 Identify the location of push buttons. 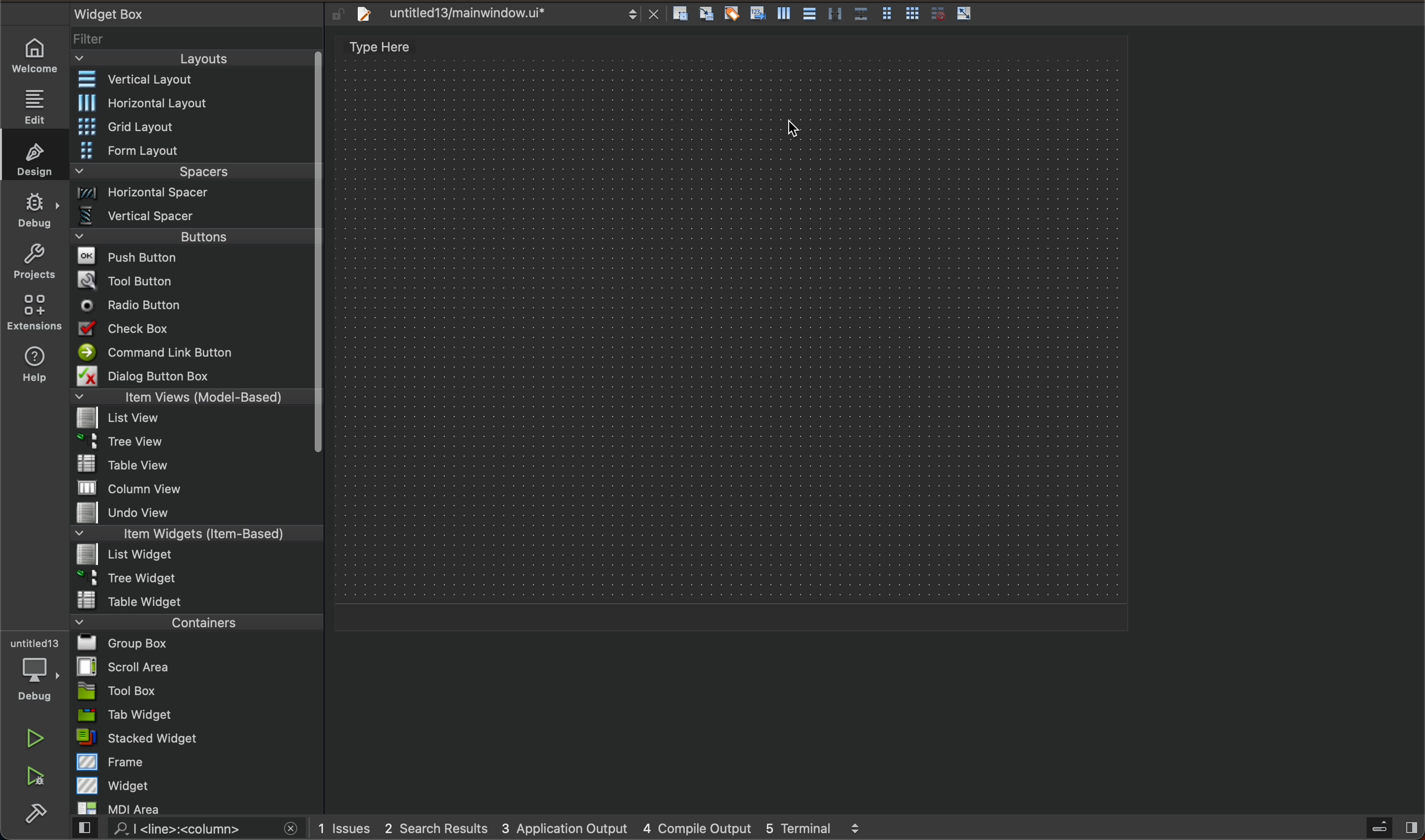
(193, 256).